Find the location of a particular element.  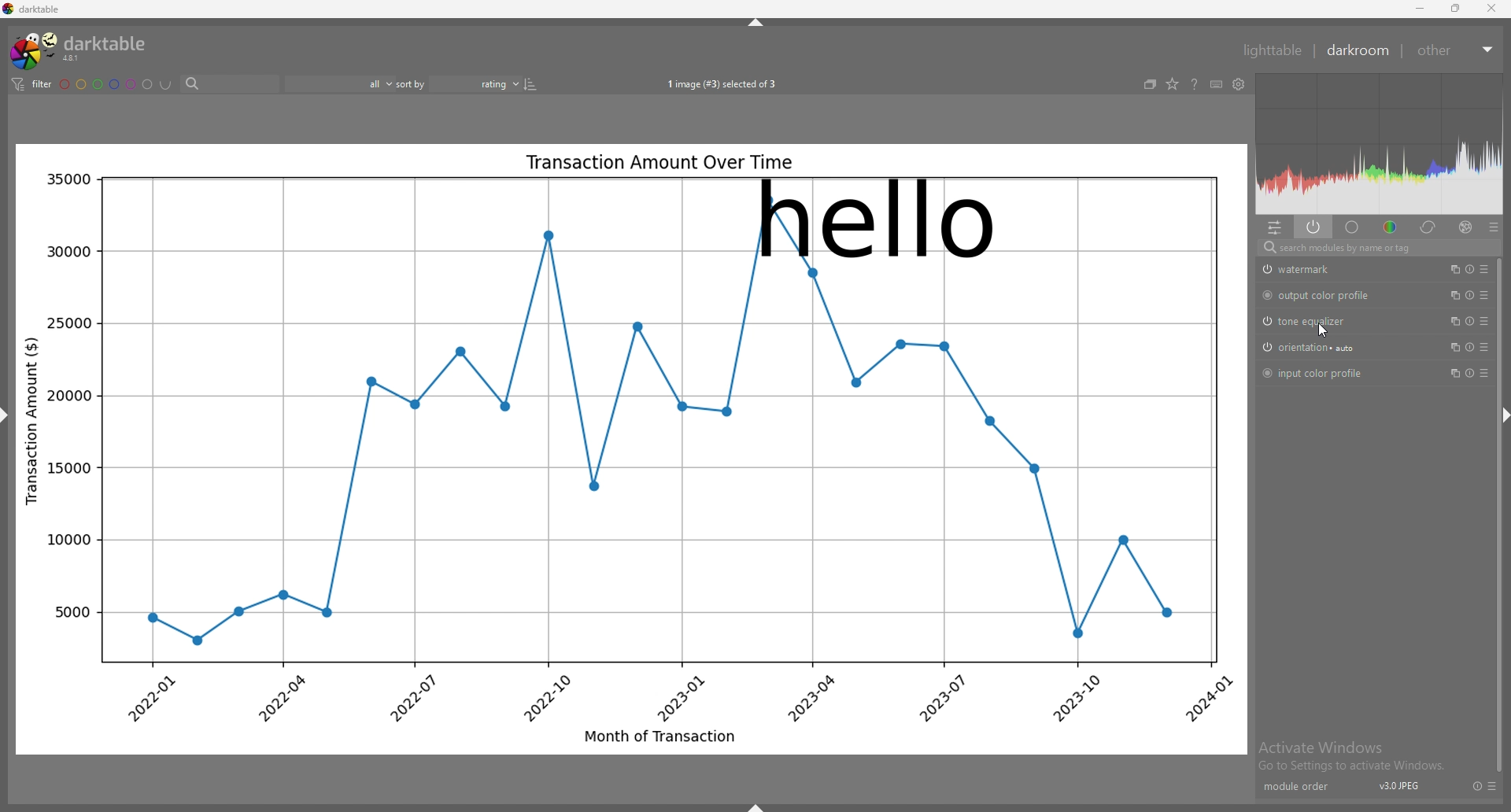

darktable logo is located at coordinates (84, 50).